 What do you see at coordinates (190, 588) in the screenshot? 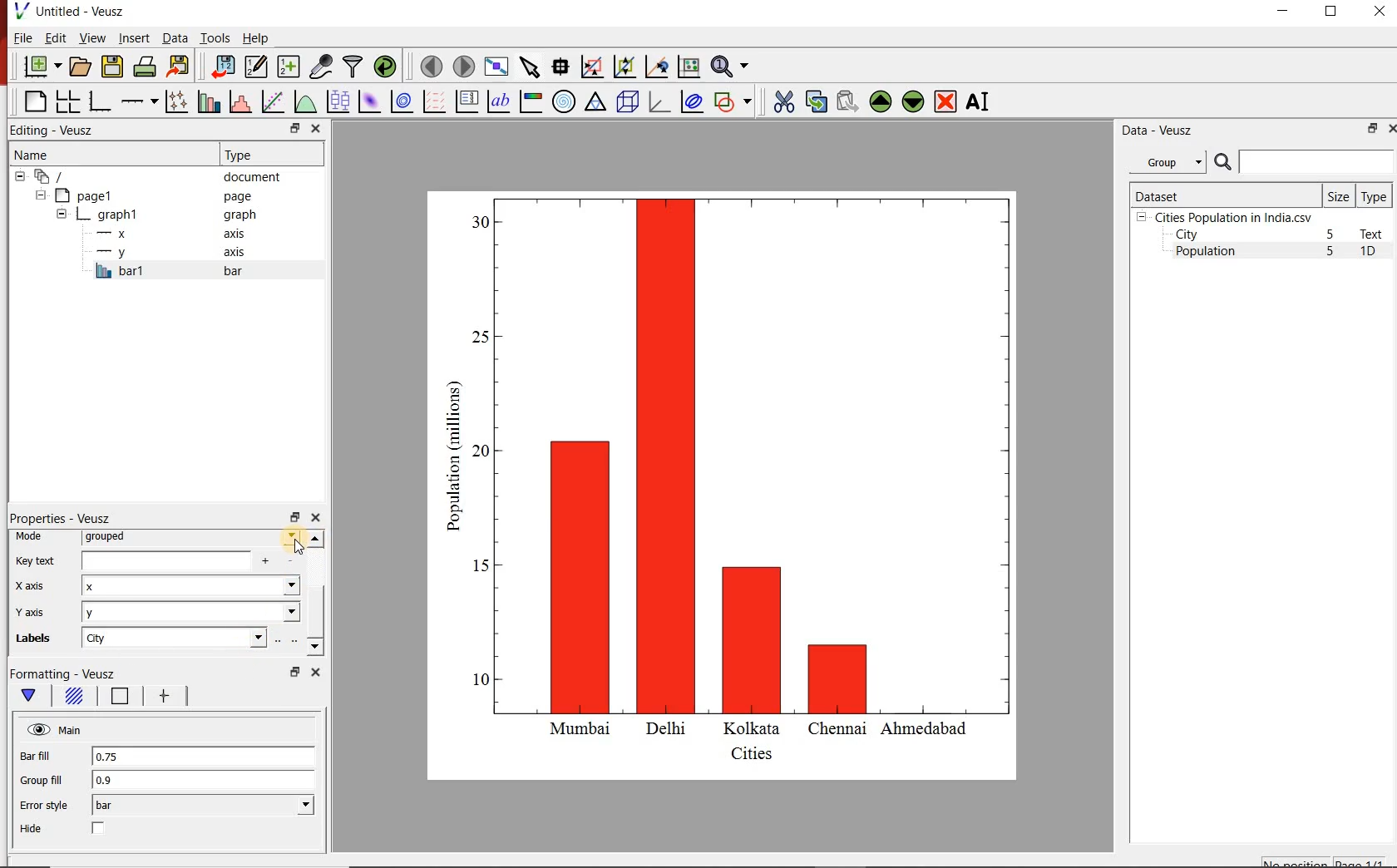
I see `x` at bounding box center [190, 588].